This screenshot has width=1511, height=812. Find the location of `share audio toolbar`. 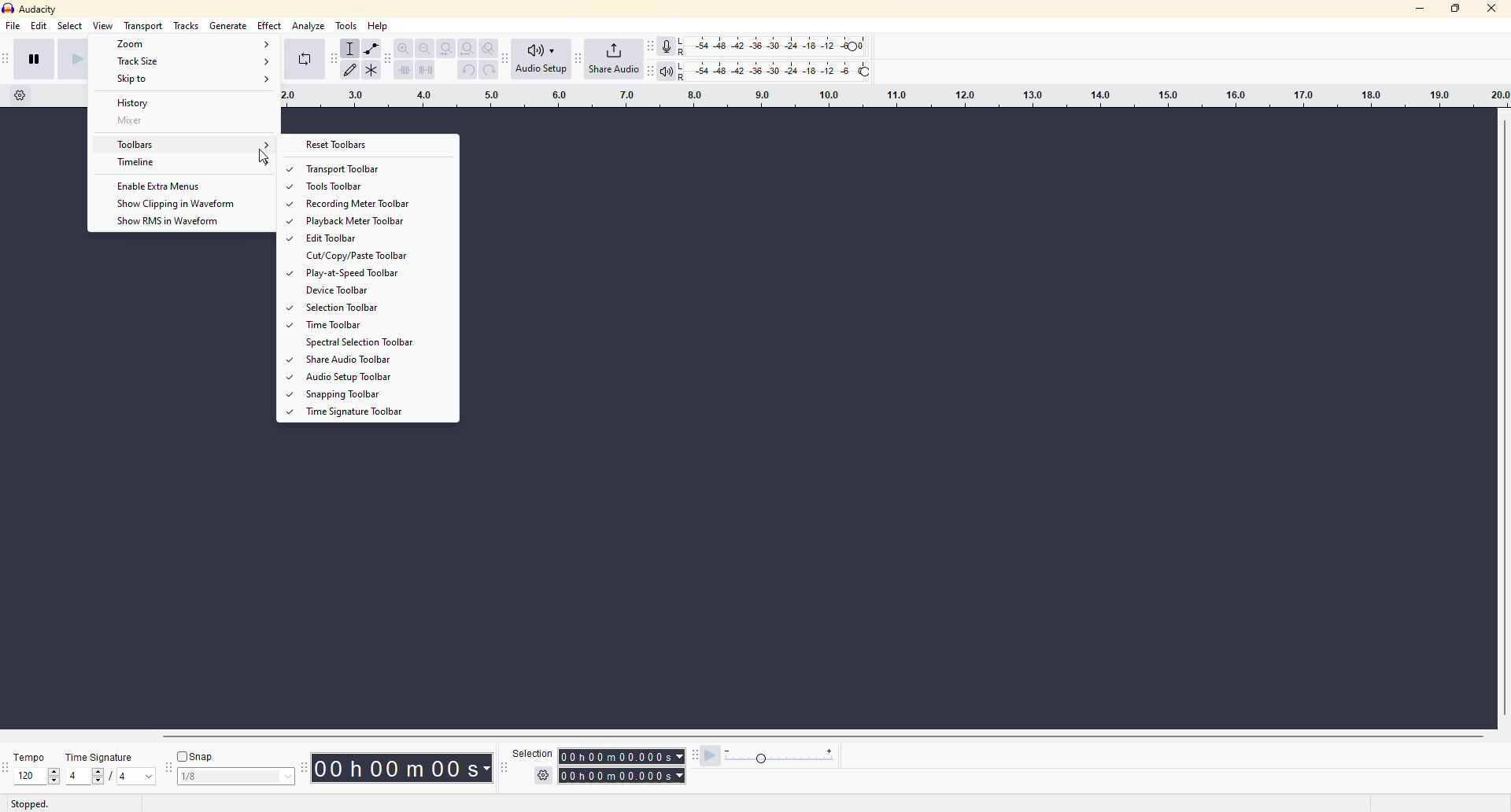

share audio toolbar is located at coordinates (343, 361).